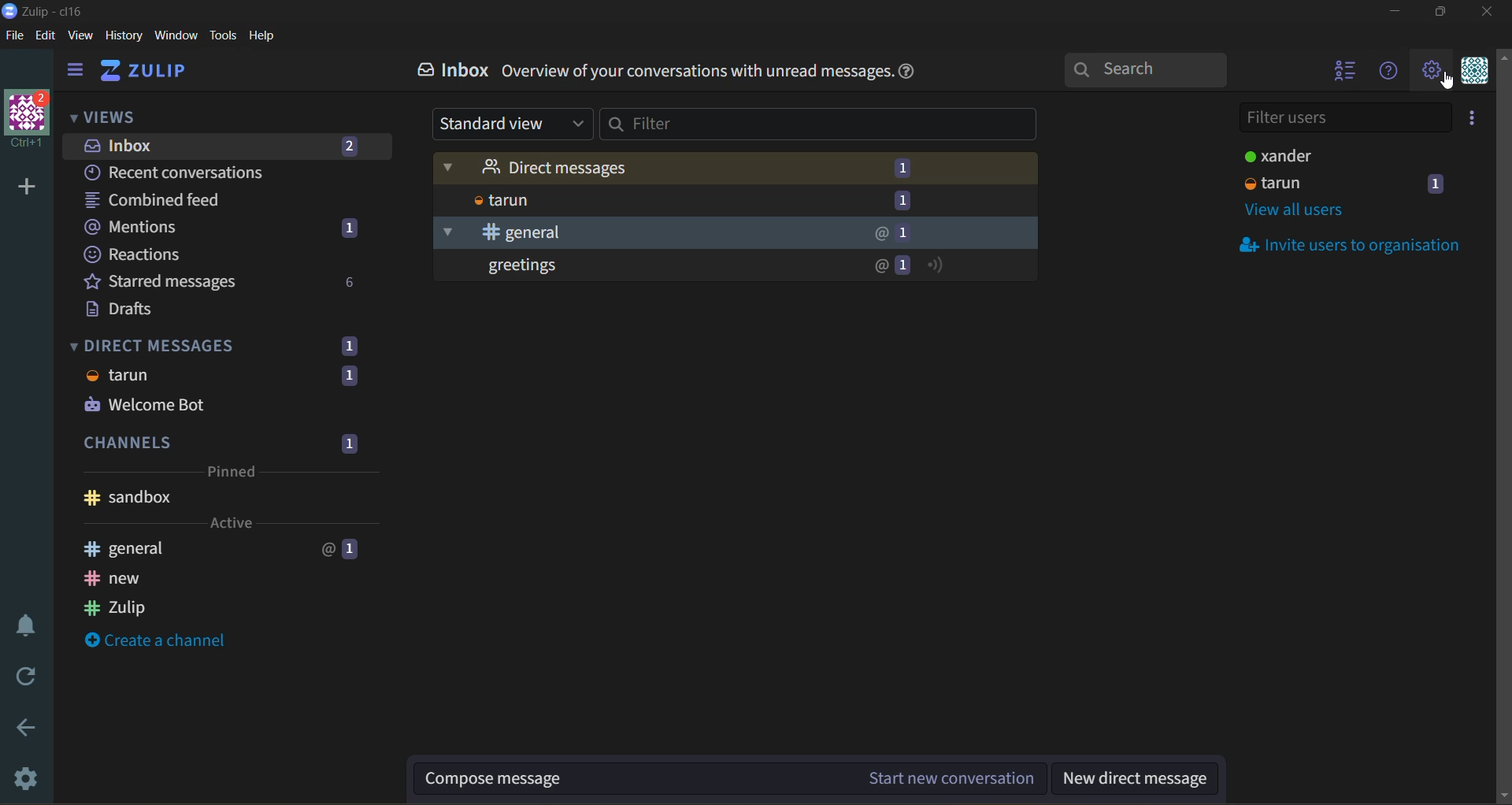  Describe the element at coordinates (169, 405) in the screenshot. I see `welcome bot` at that location.